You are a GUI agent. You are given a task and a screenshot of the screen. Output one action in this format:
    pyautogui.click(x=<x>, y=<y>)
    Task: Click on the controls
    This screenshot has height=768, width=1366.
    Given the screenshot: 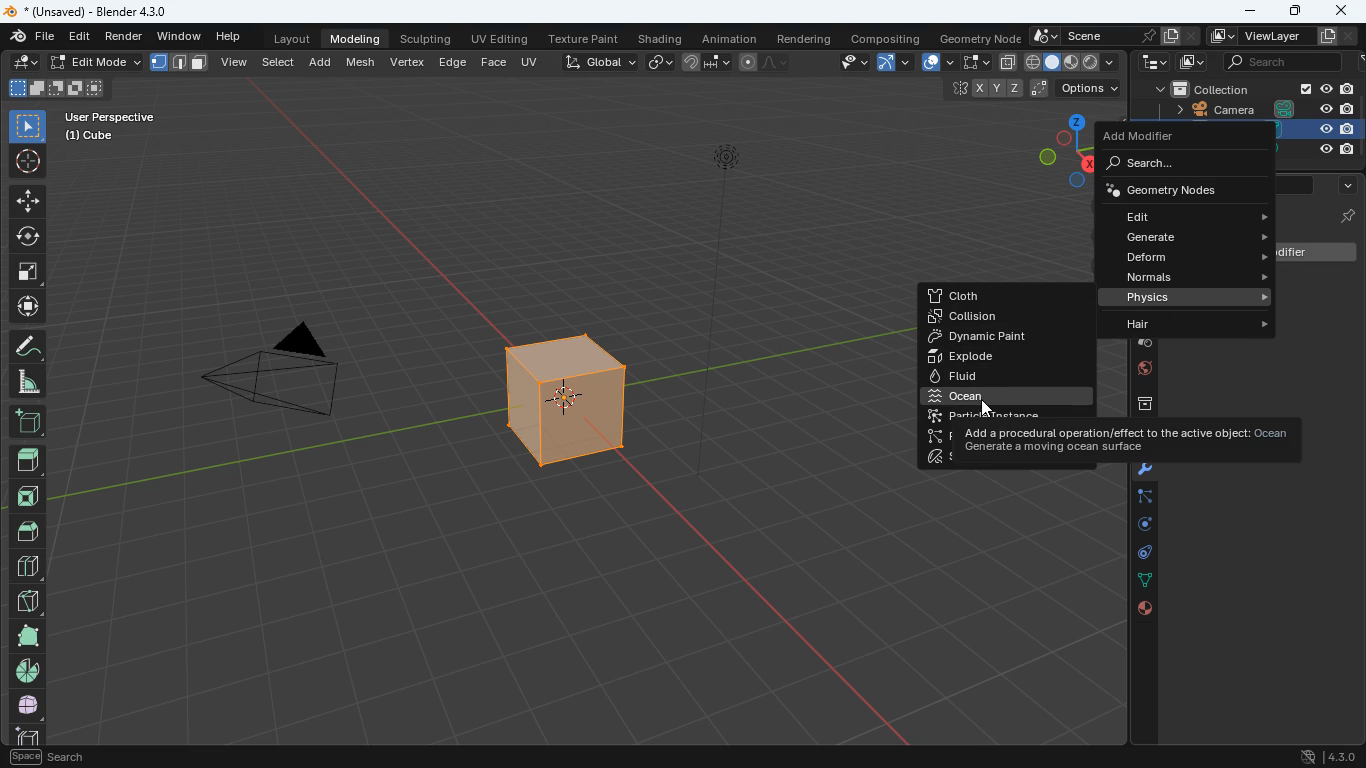 What is the action you would take?
    pyautogui.click(x=1138, y=555)
    